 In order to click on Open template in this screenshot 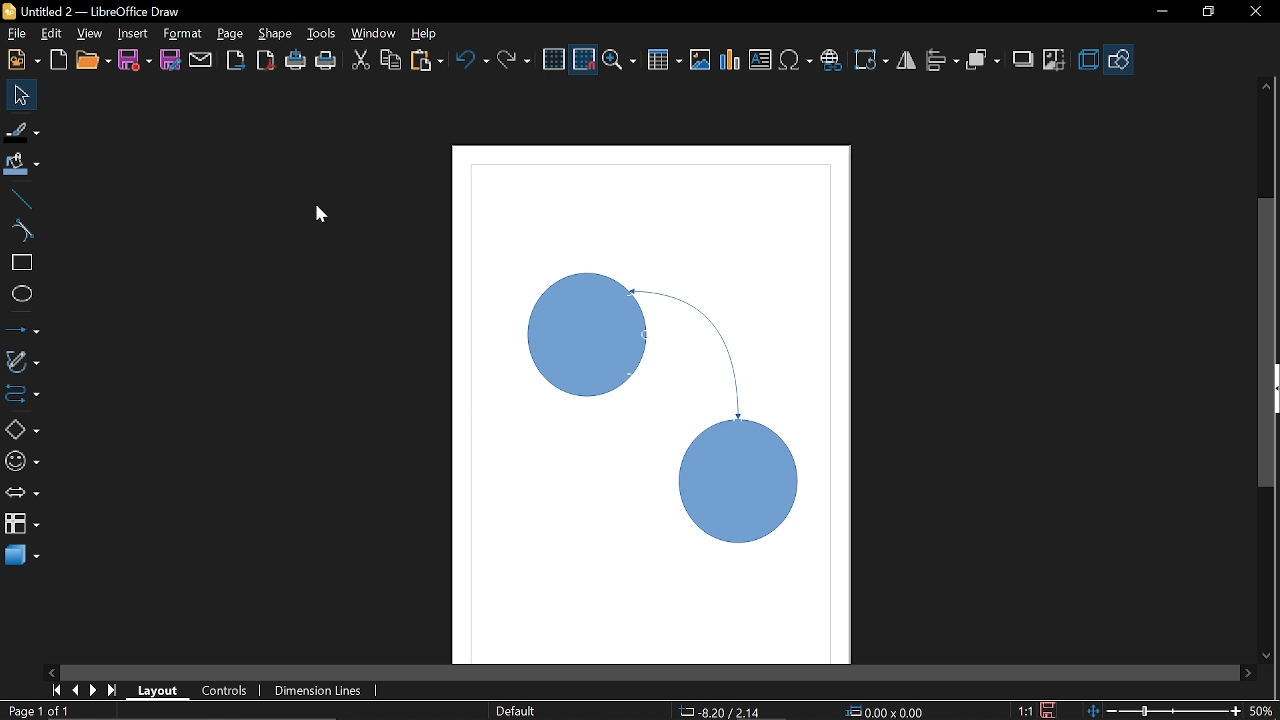, I will do `click(58, 60)`.